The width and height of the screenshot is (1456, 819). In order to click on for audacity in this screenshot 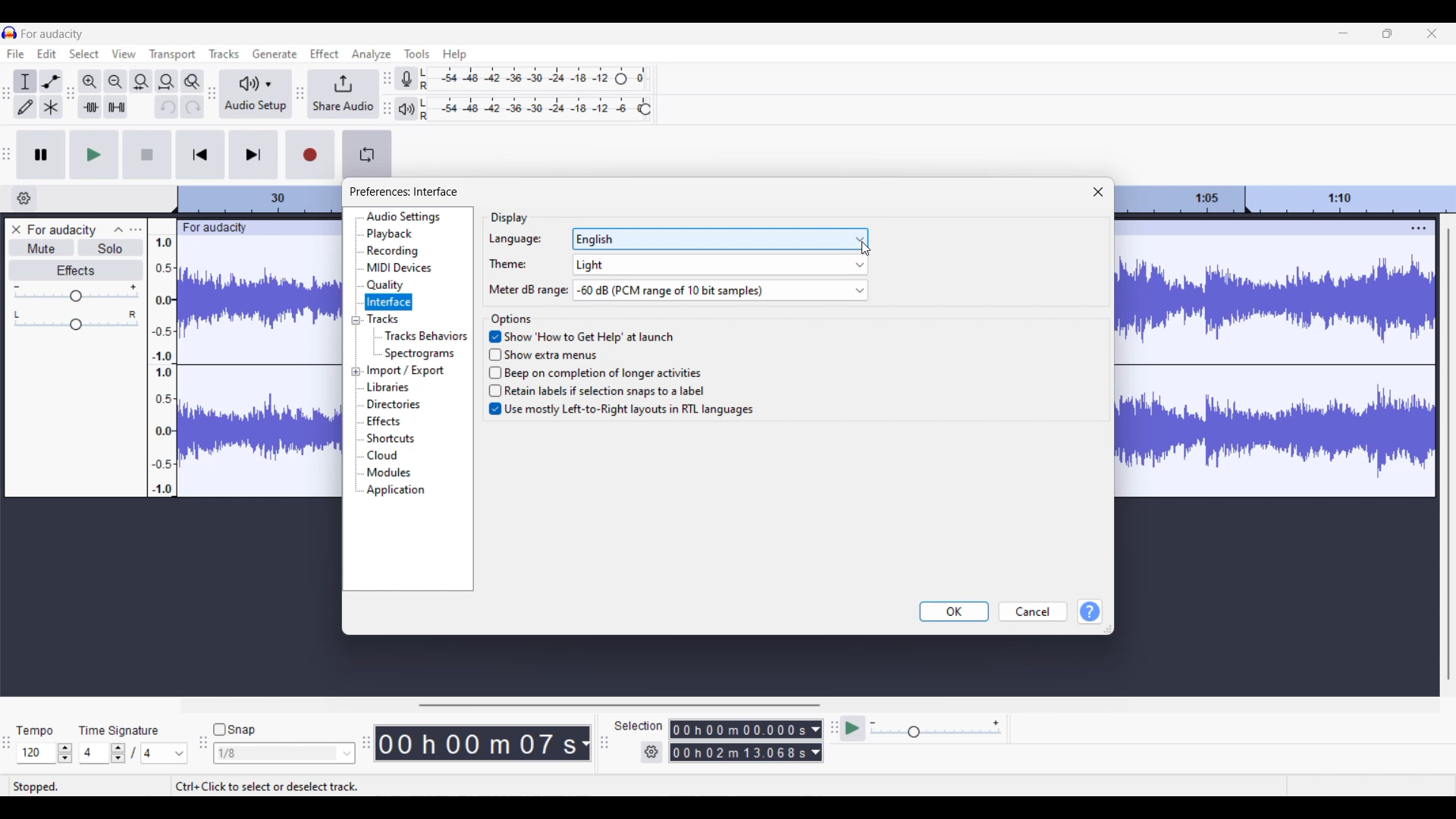, I will do `click(53, 34)`.